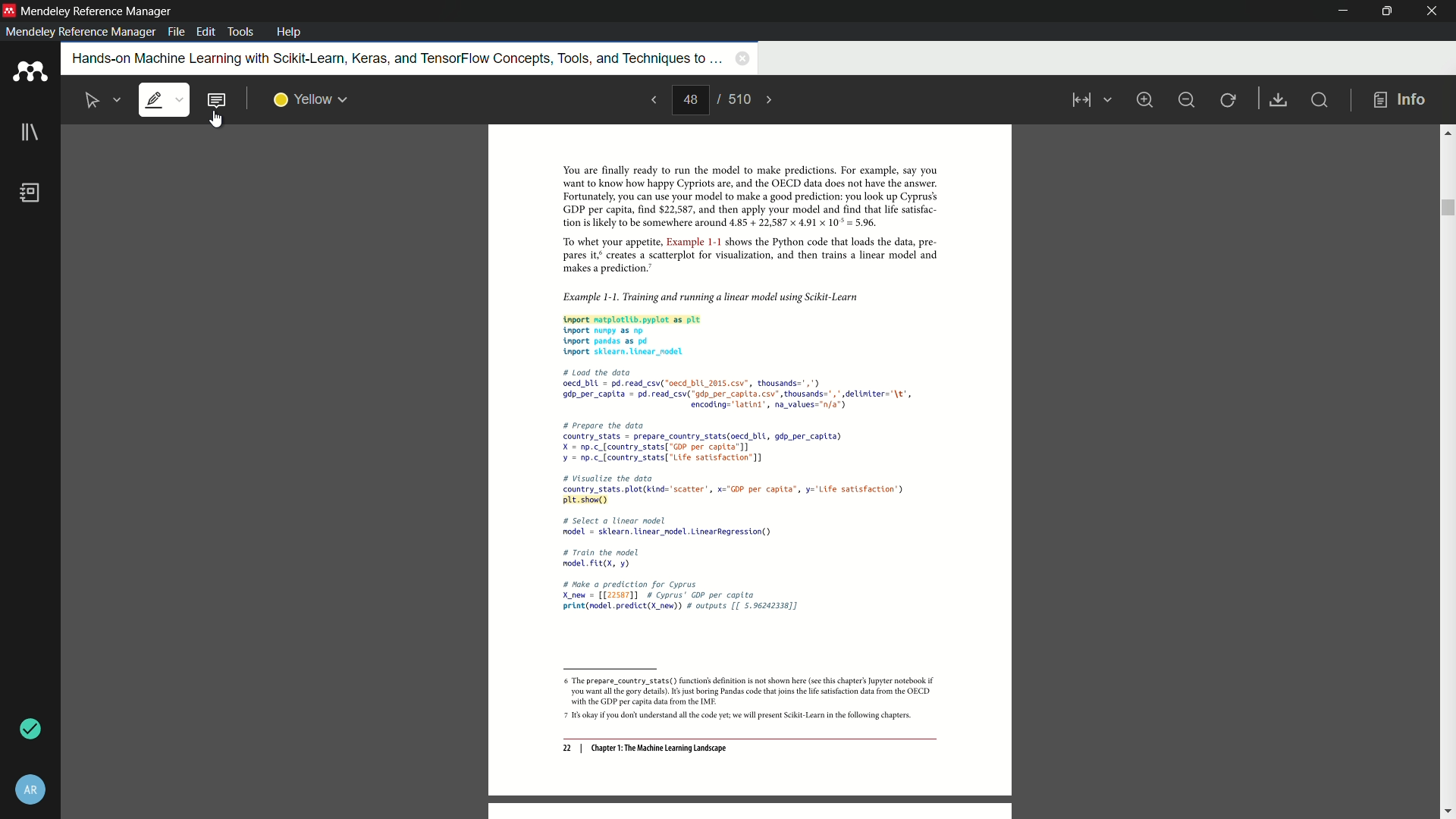  I want to click on sync, so click(30, 731).